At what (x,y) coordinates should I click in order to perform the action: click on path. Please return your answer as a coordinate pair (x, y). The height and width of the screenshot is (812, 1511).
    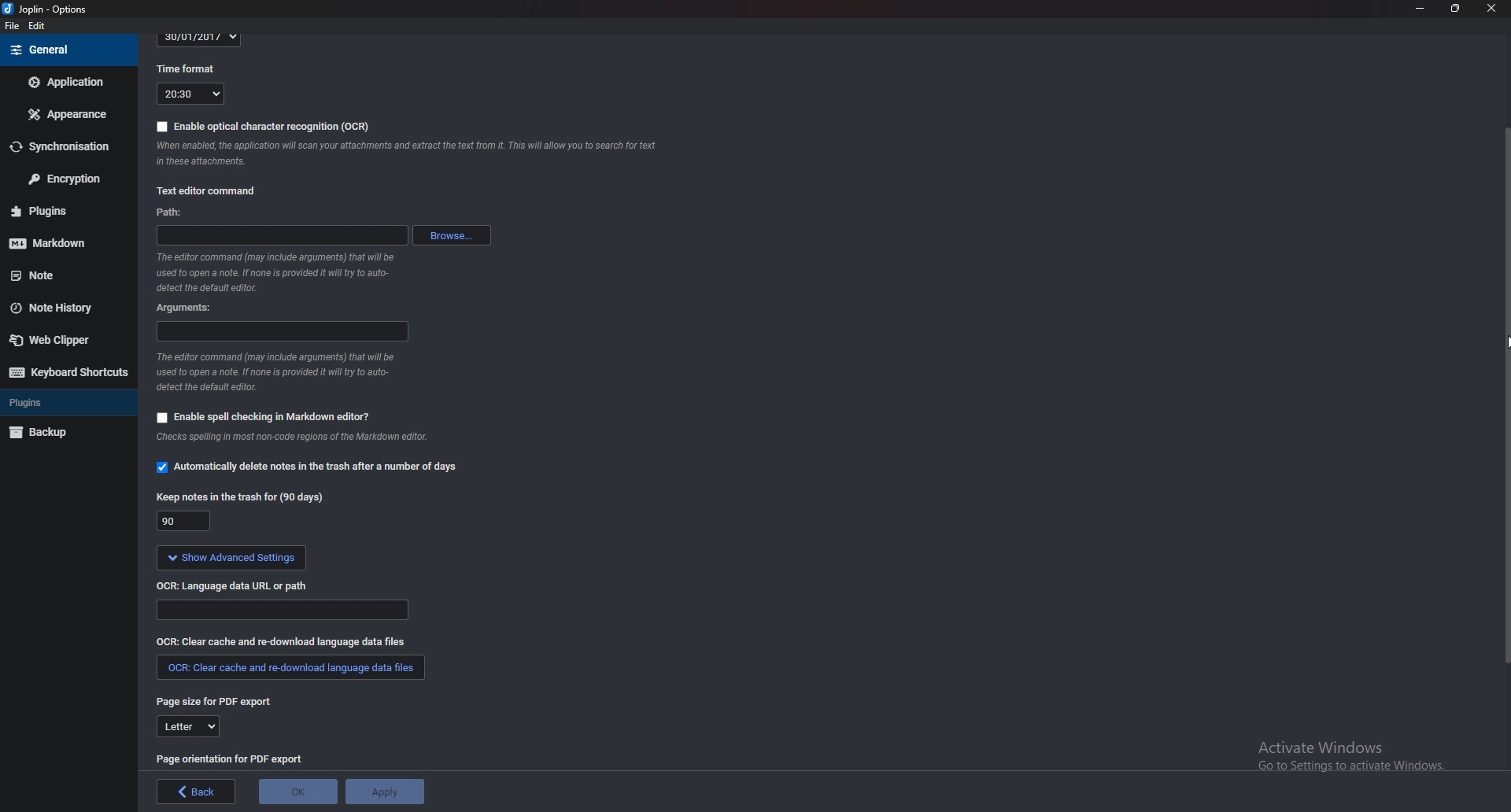
    Looking at the image, I should click on (282, 235).